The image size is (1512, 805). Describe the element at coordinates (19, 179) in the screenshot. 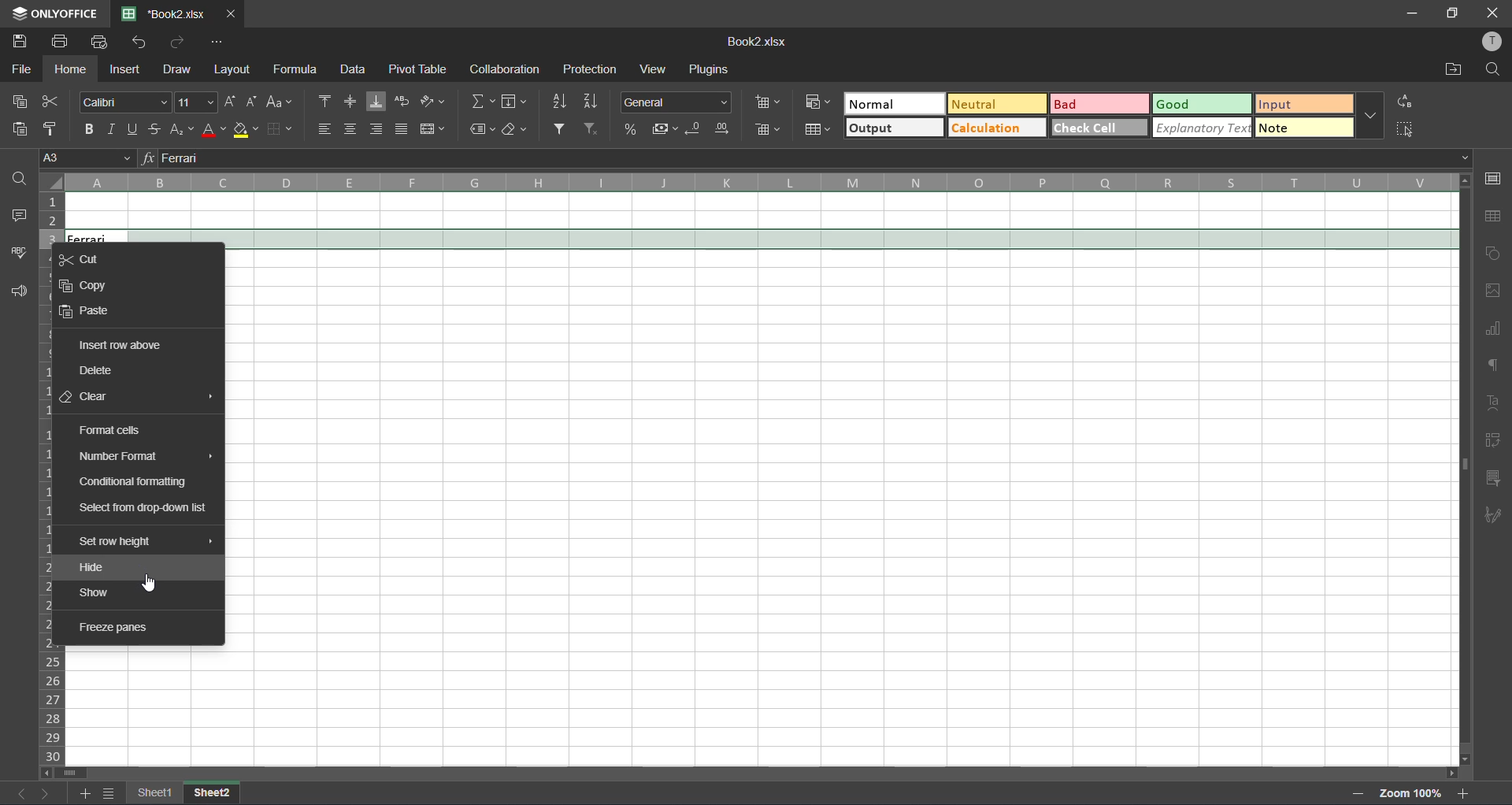

I see `find` at that location.